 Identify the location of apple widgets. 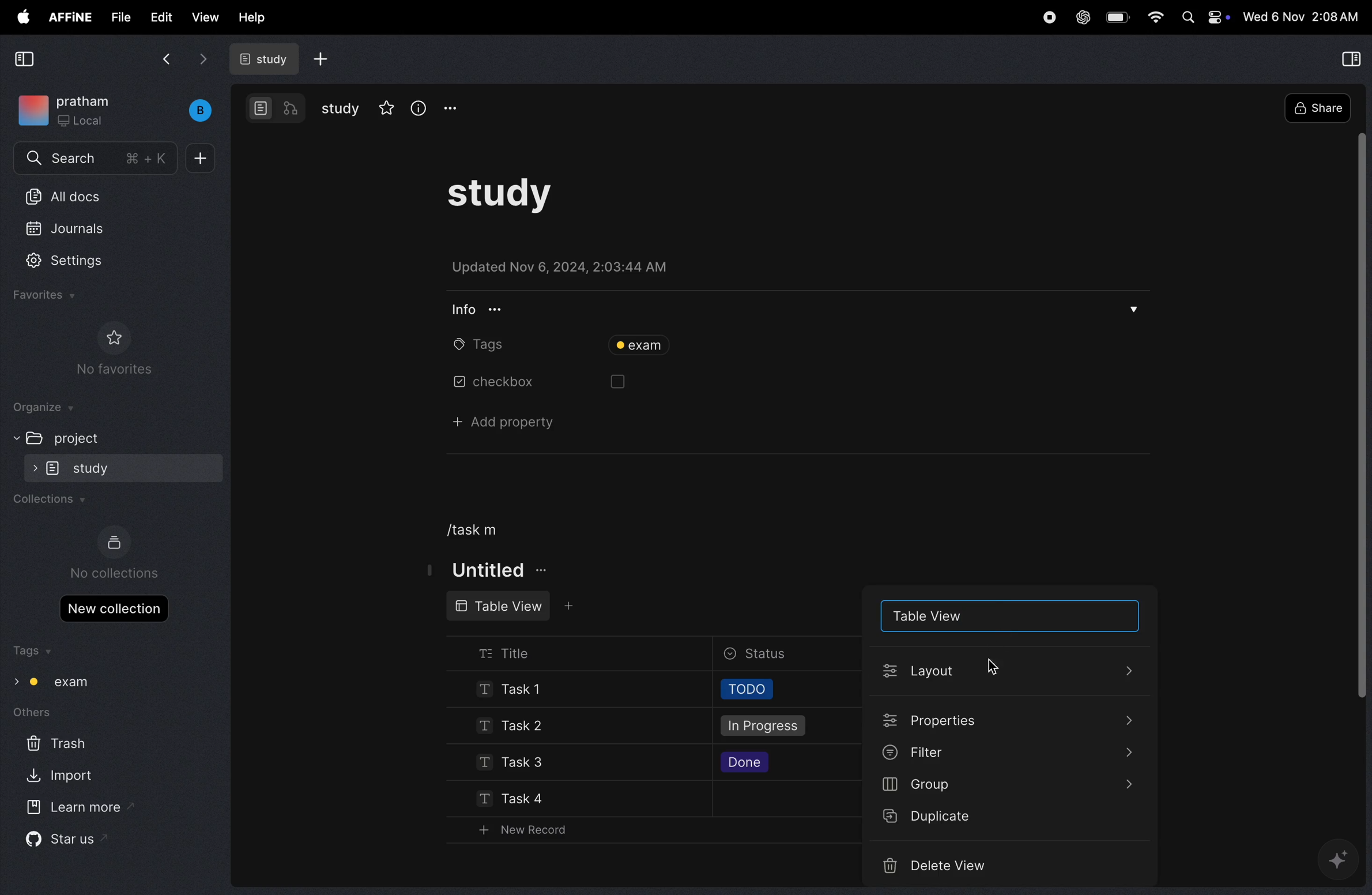
(1203, 17).